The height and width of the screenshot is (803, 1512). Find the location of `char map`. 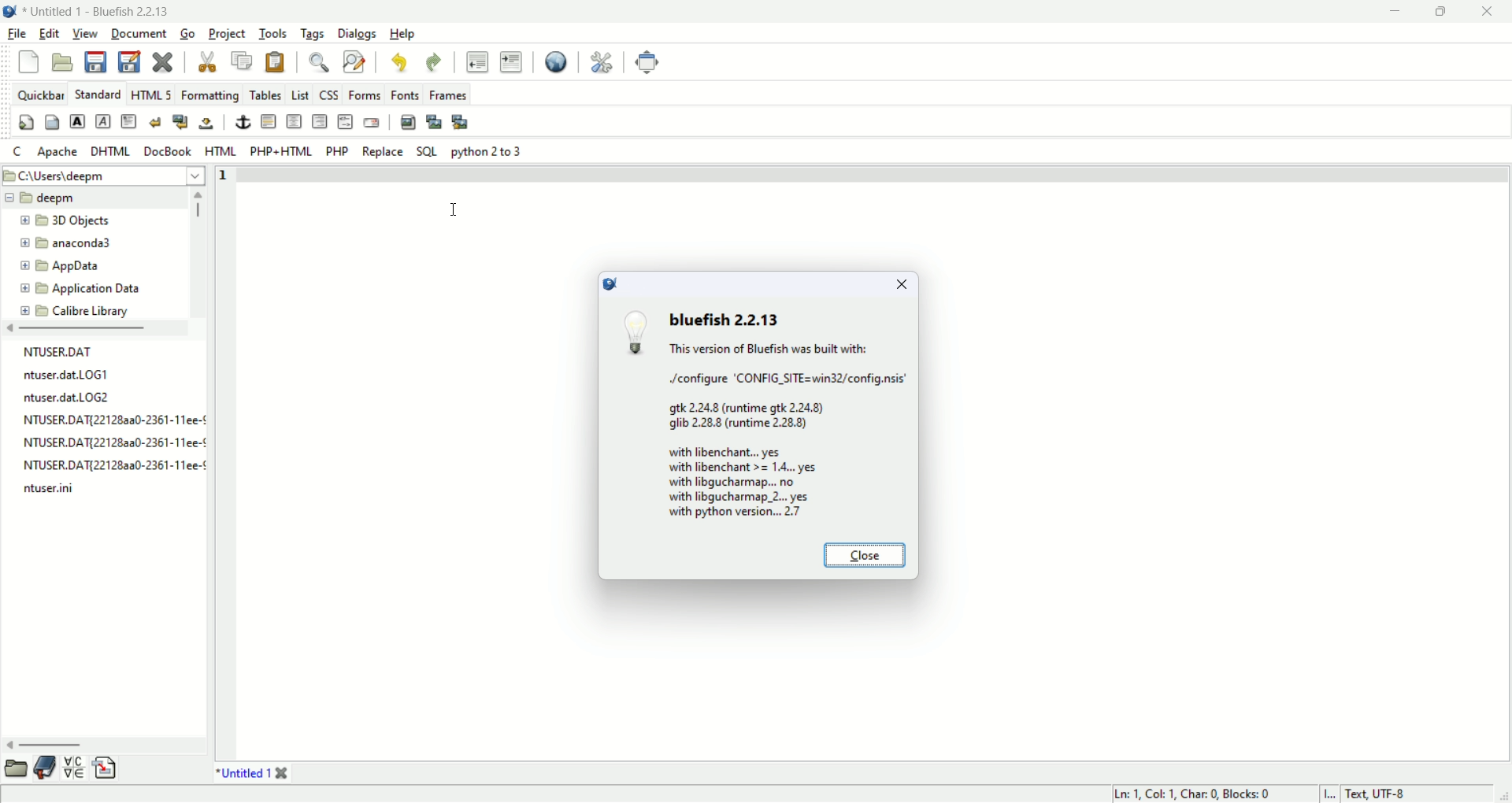

char map is located at coordinates (73, 767).